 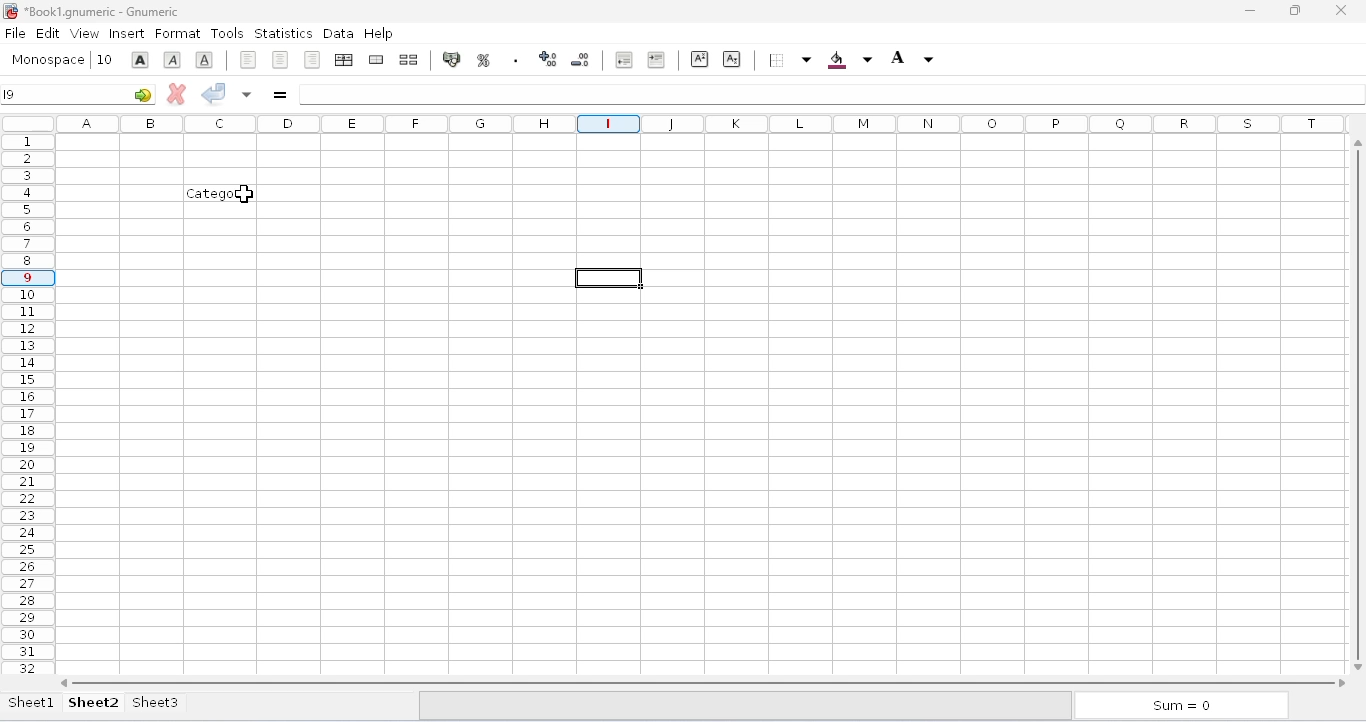 I want to click on edit, so click(x=48, y=32).